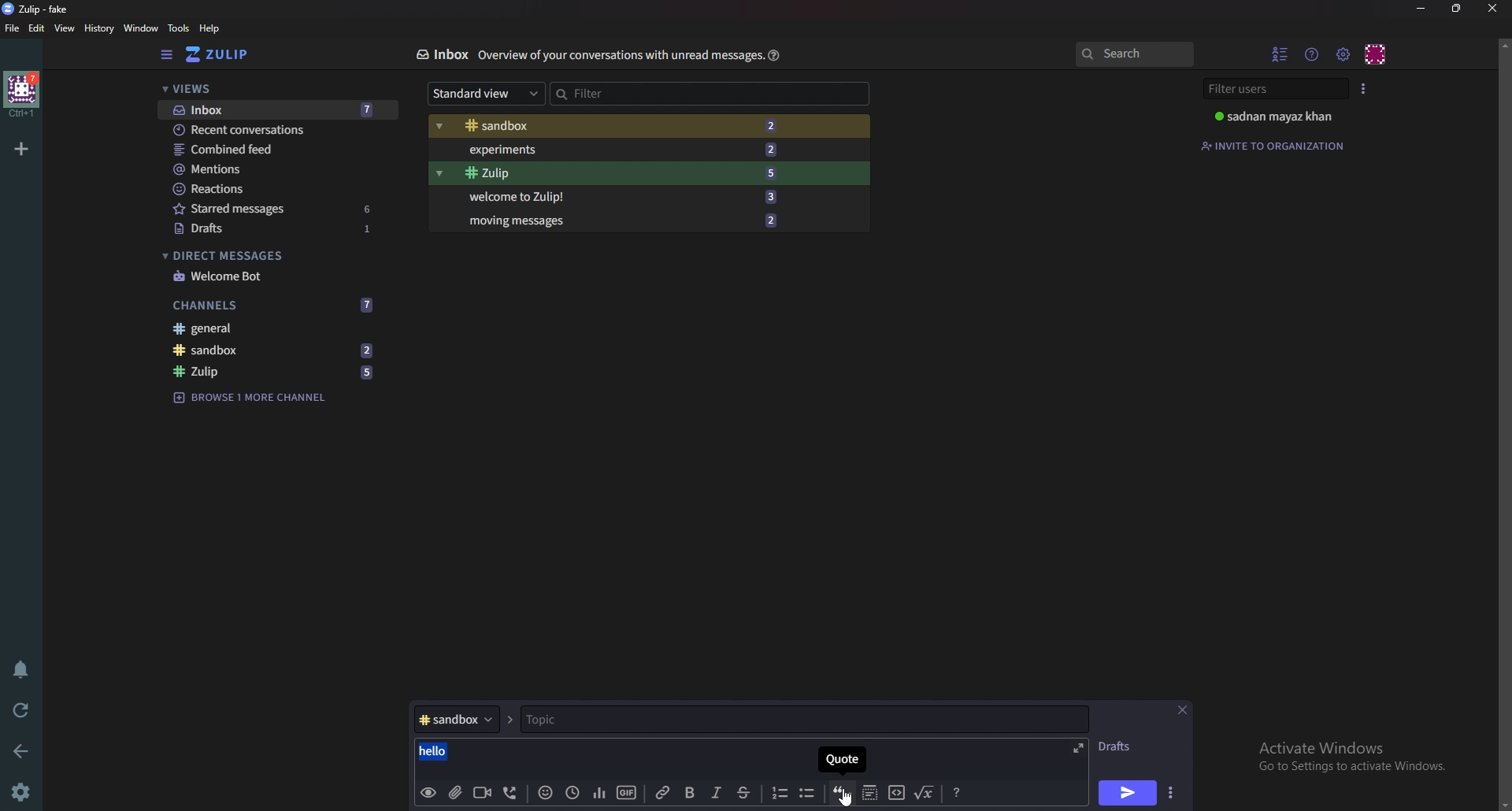 Image resolution: width=1512 pixels, height=811 pixels. What do you see at coordinates (1456, 8) in the screenshot?
I see `Resize` at bounding box center [1456, 8].